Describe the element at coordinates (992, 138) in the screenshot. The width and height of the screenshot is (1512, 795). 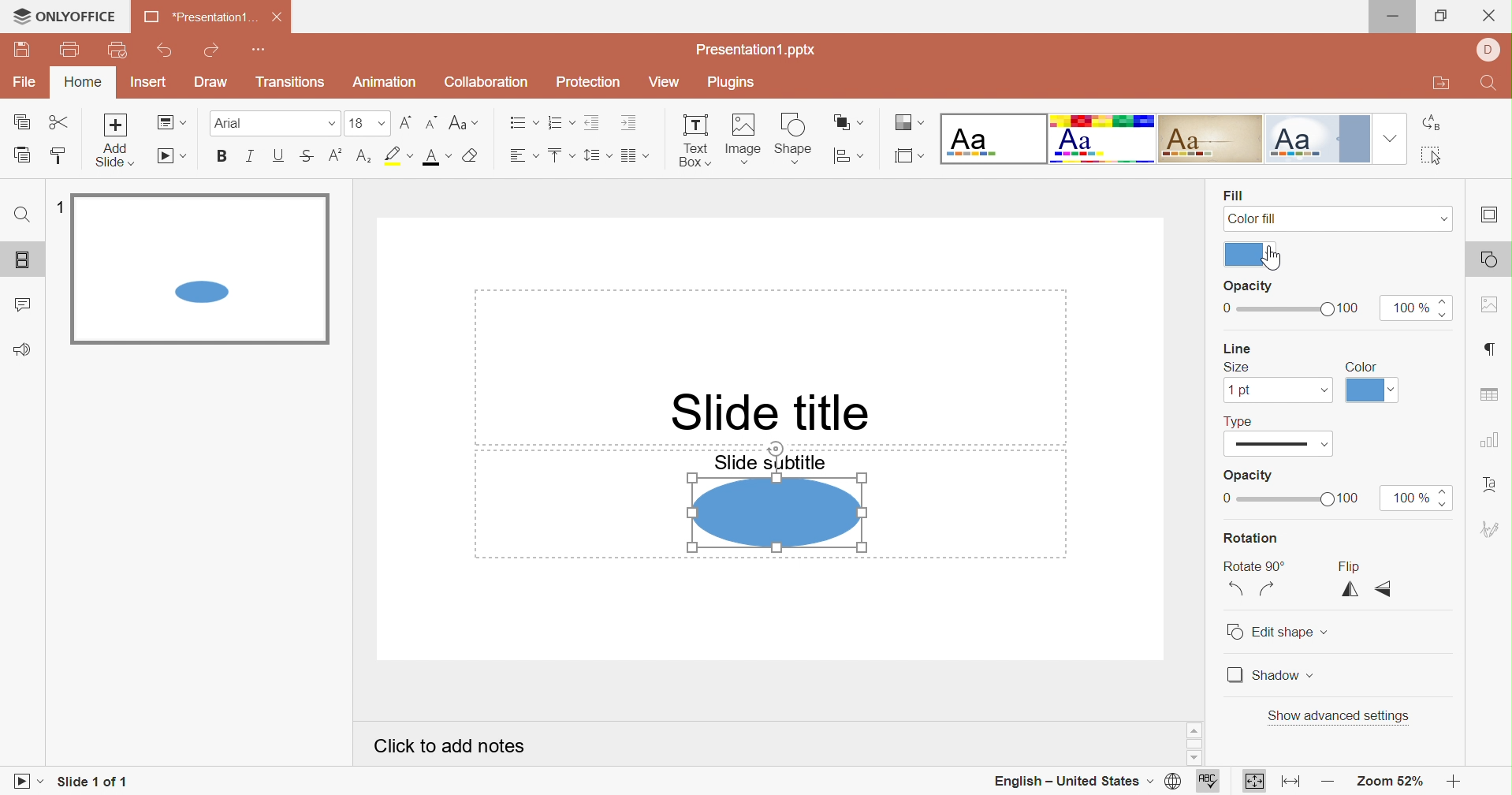
I see `Blank` at that location.